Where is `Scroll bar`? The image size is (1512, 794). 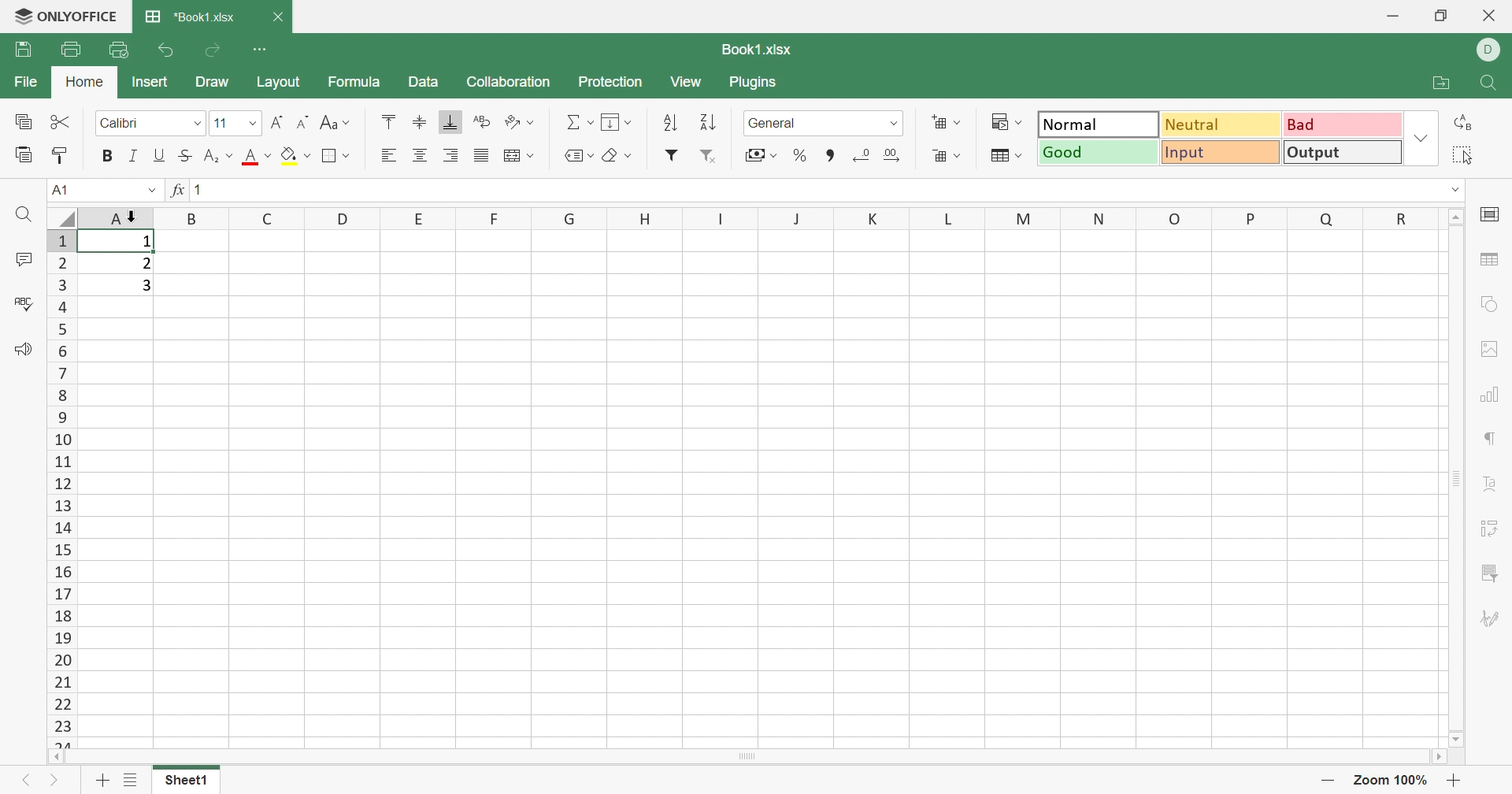 Scroll bar is located at coordinates (747, 756).